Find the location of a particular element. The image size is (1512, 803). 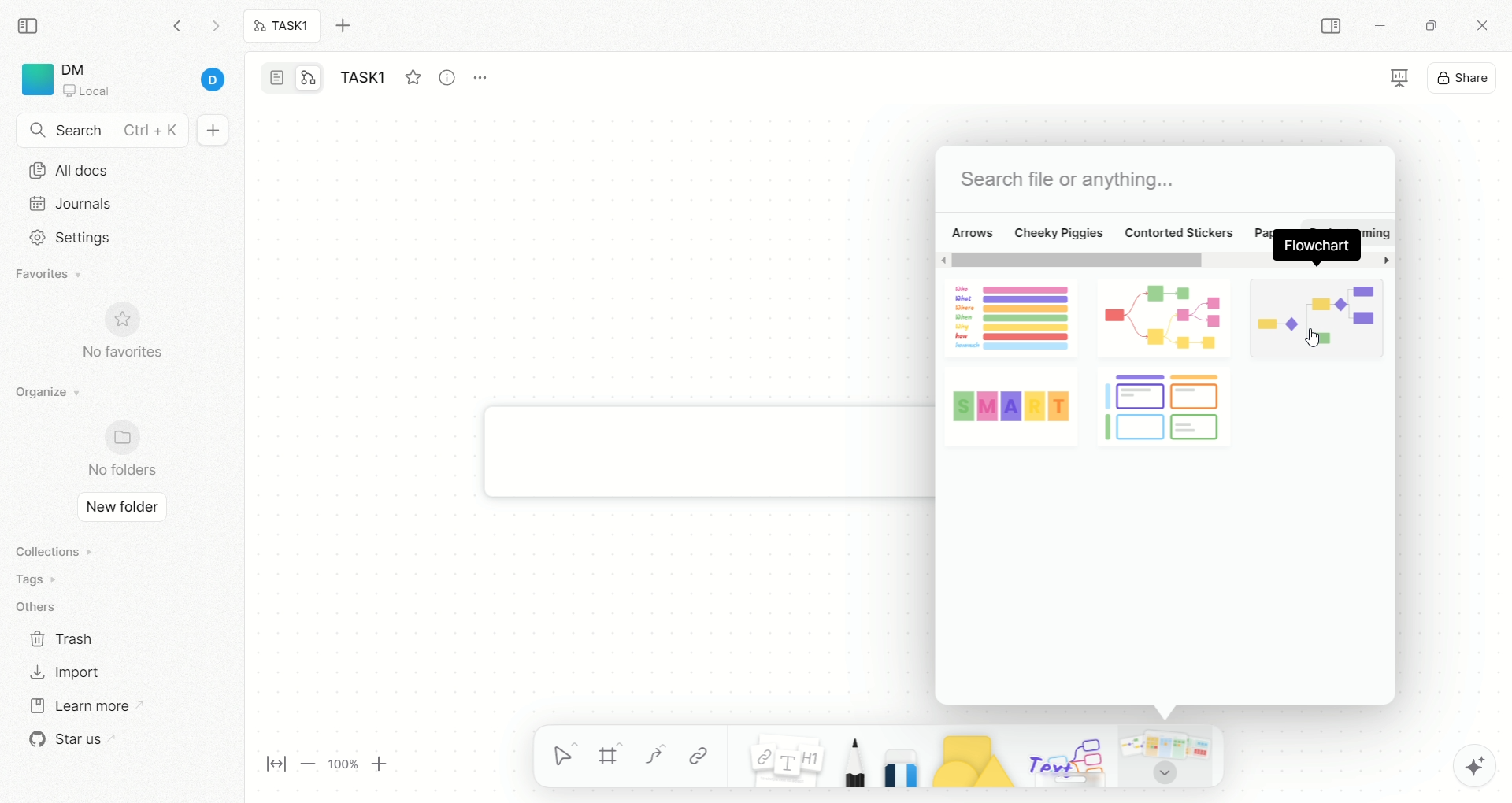

logo is located at coordinates (35, 80).